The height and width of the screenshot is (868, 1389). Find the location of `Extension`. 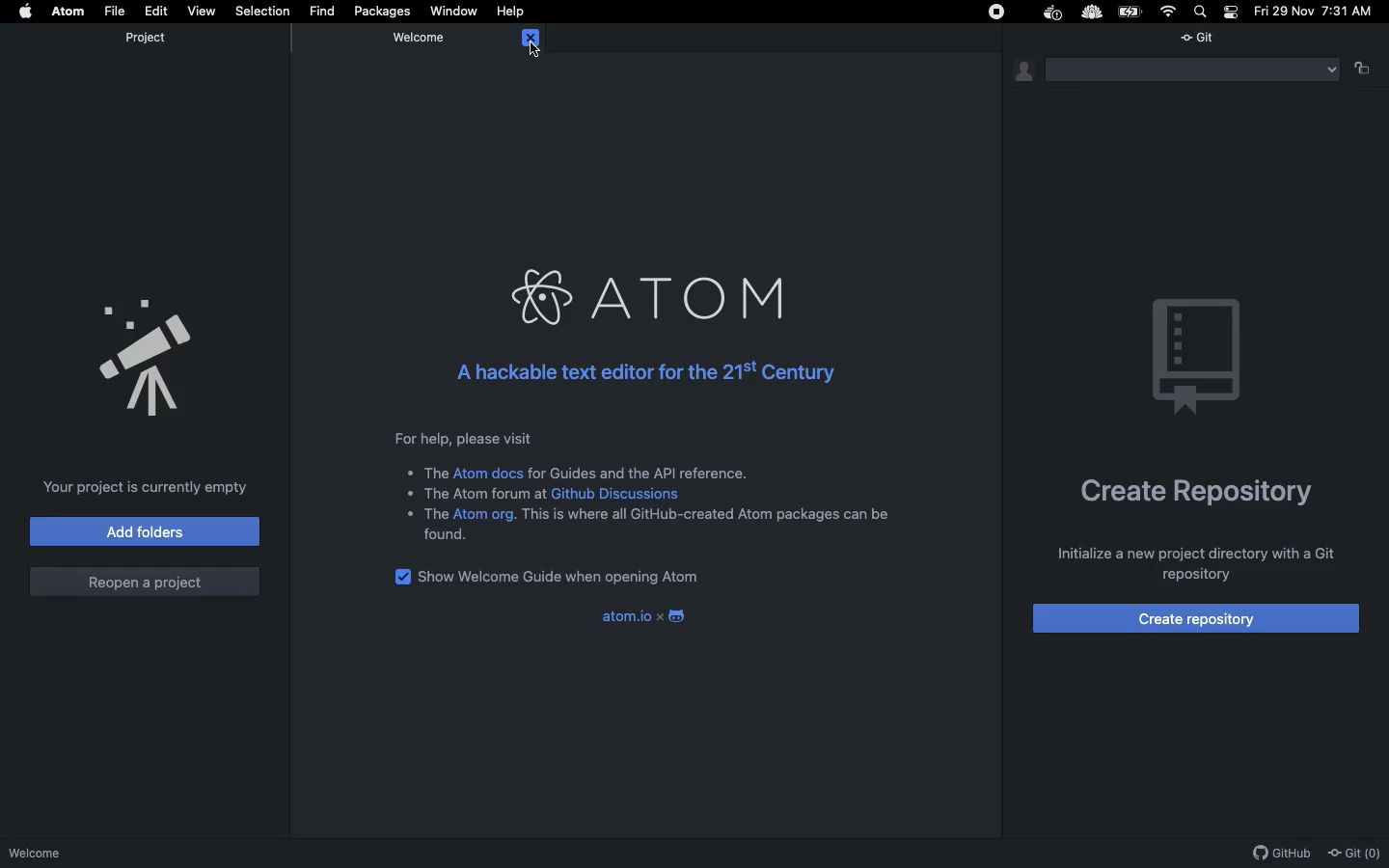

Extension is located at coordinates (1092, 13).